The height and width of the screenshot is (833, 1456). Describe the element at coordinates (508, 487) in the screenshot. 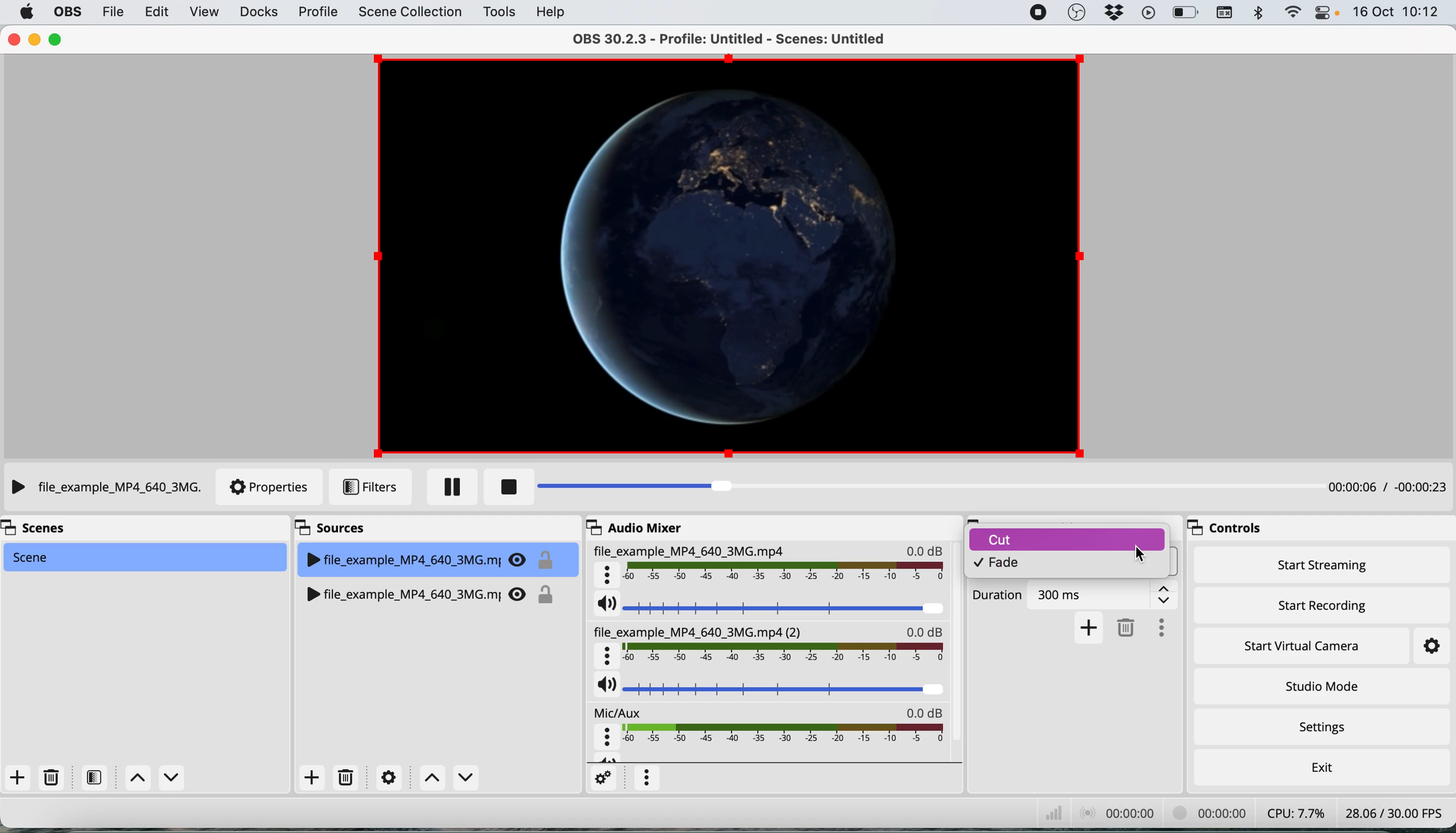

I see `stop` at that location.